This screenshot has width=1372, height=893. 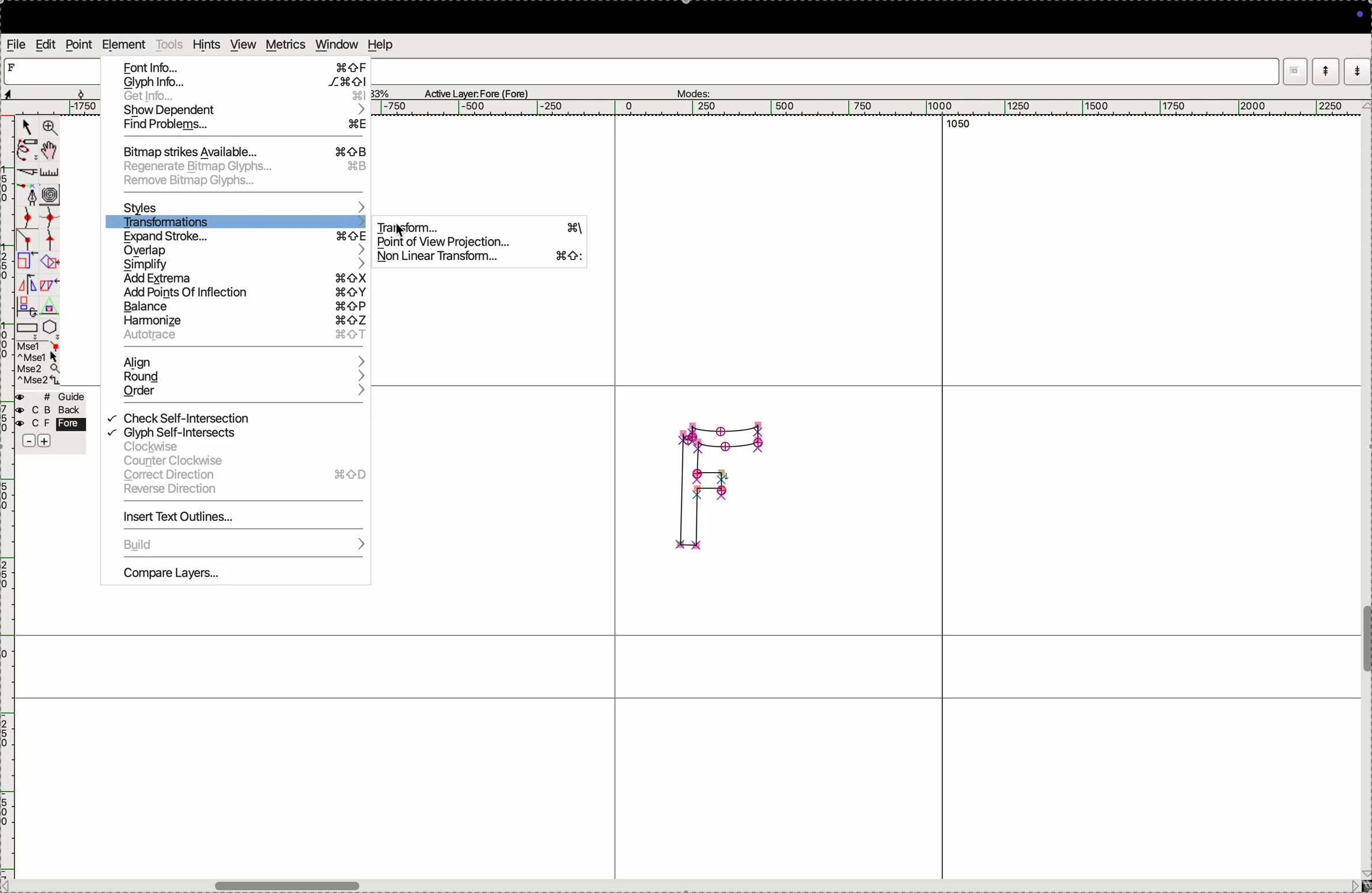 What do you see at coordinates (29, 218) in the screenshot?
I see `point curve` at bounding box center [29, 218].